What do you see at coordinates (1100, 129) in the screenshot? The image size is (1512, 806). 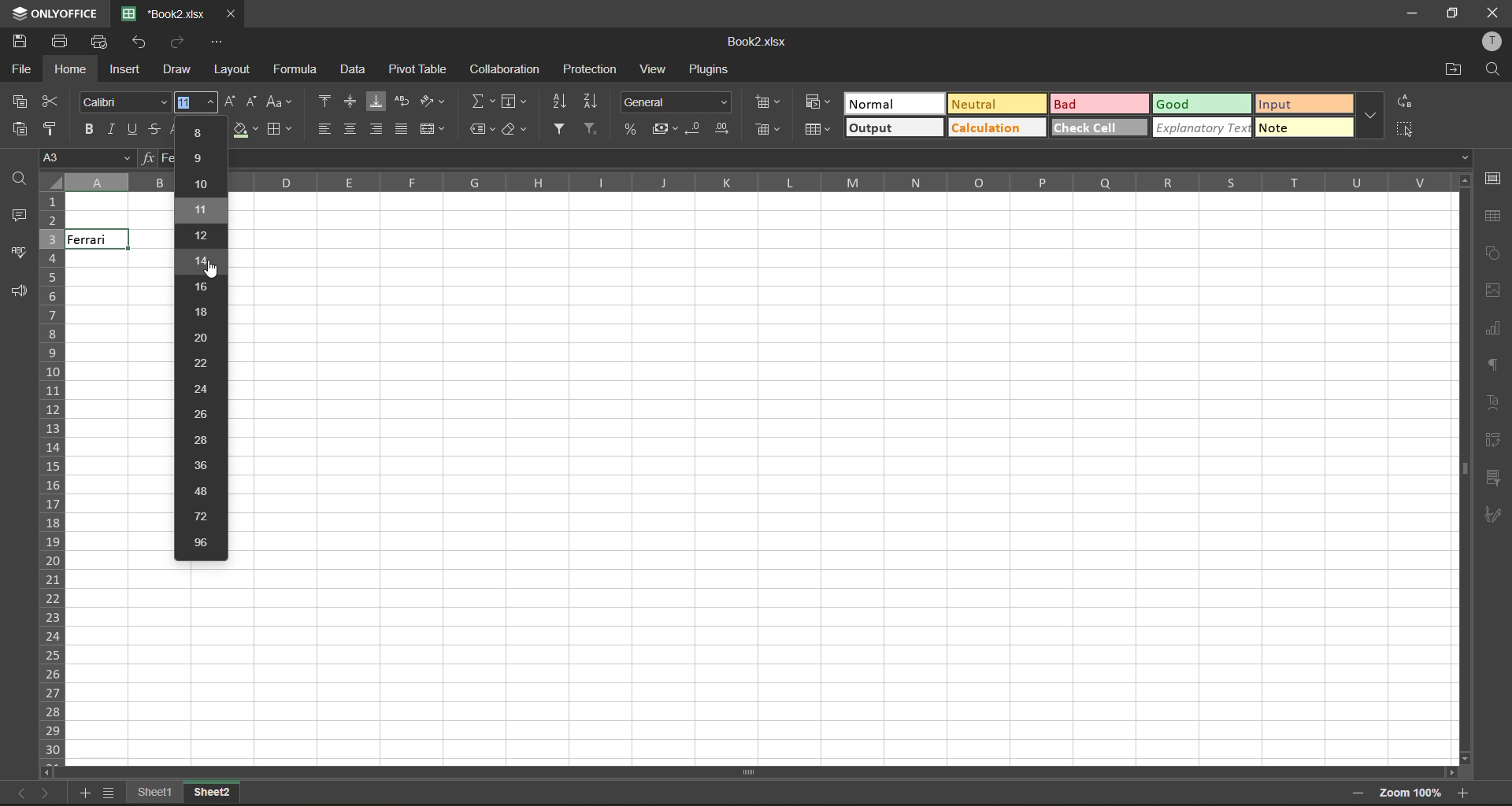 I see `check cell` at bounding box center [1100, 129].